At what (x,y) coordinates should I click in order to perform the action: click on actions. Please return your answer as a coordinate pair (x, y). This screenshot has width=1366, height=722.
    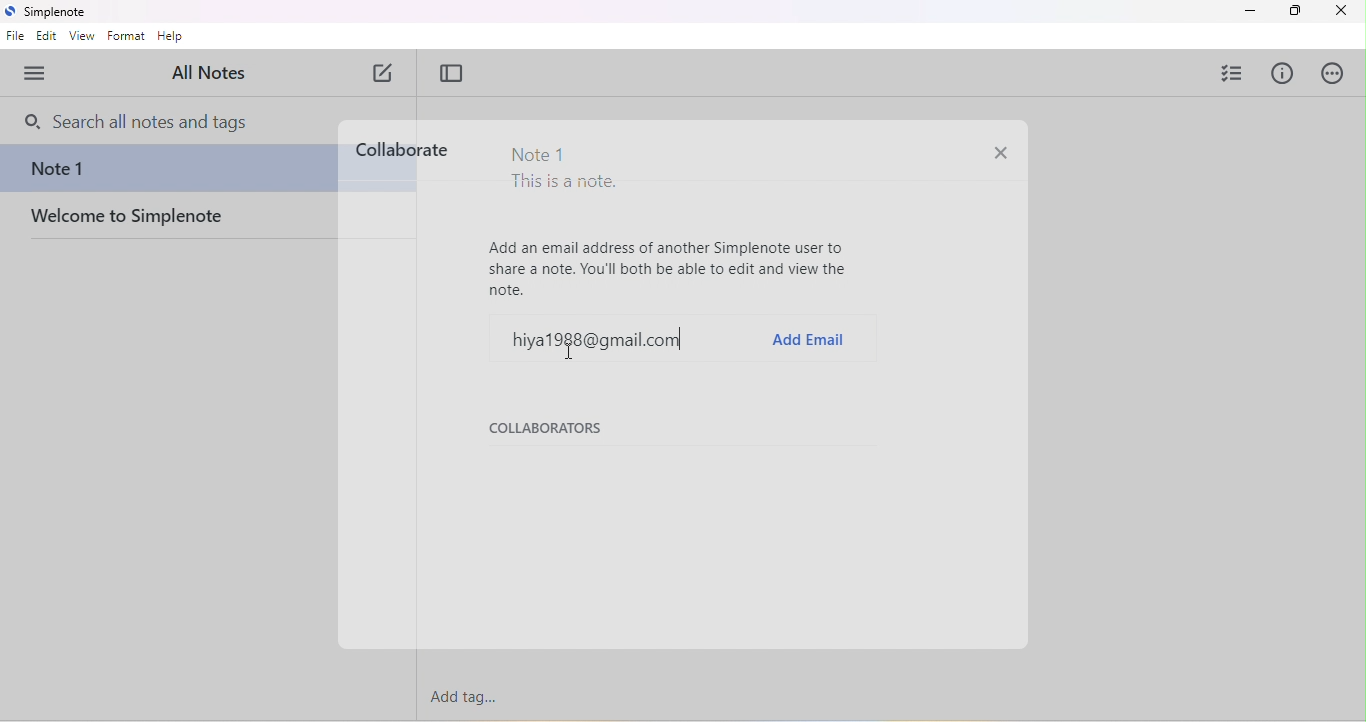
    Looking at the image, I should click on (1332, 73).